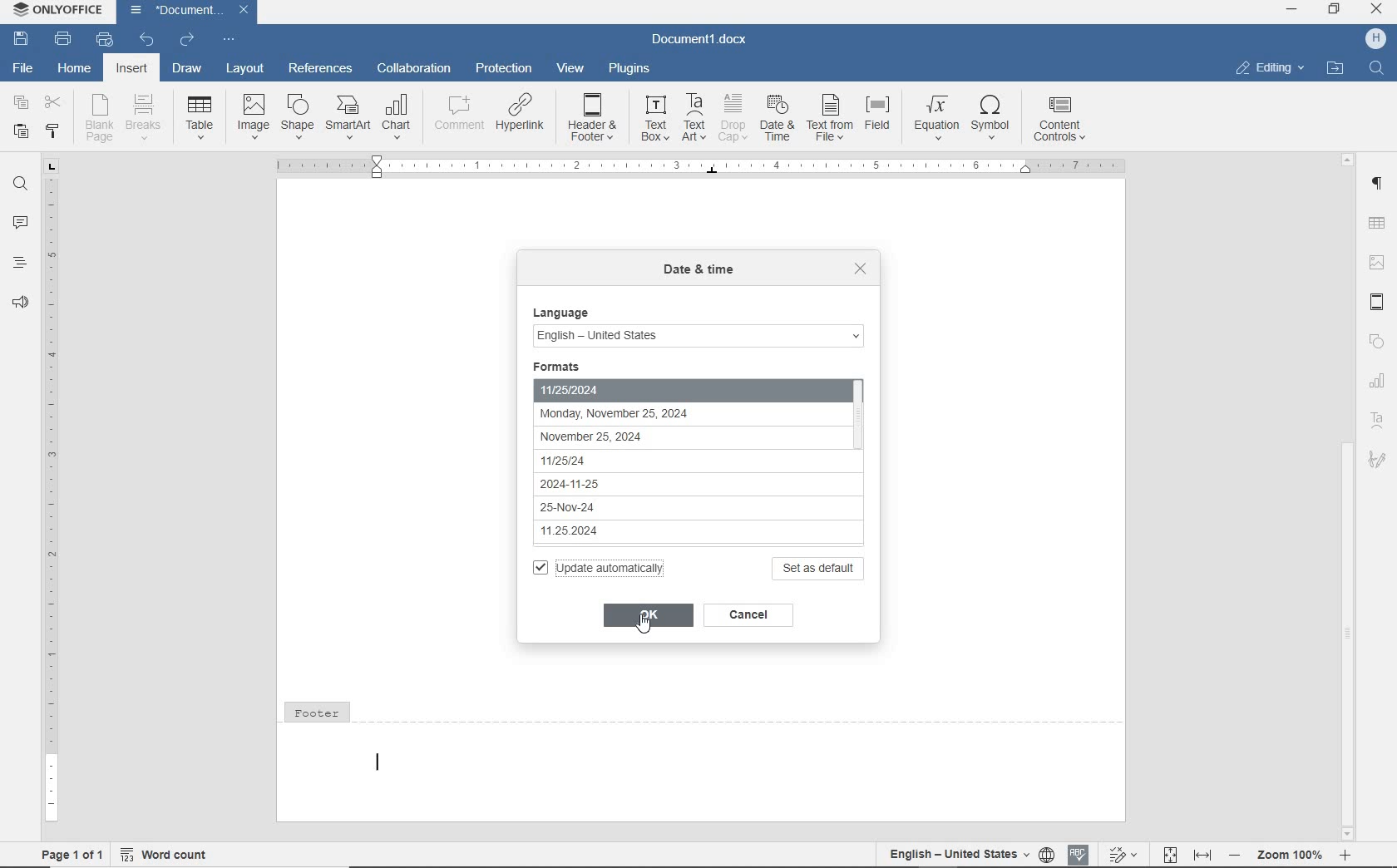  Describe the element at coordinates (565, 309) in the screenshot. I see `Language` at that location.